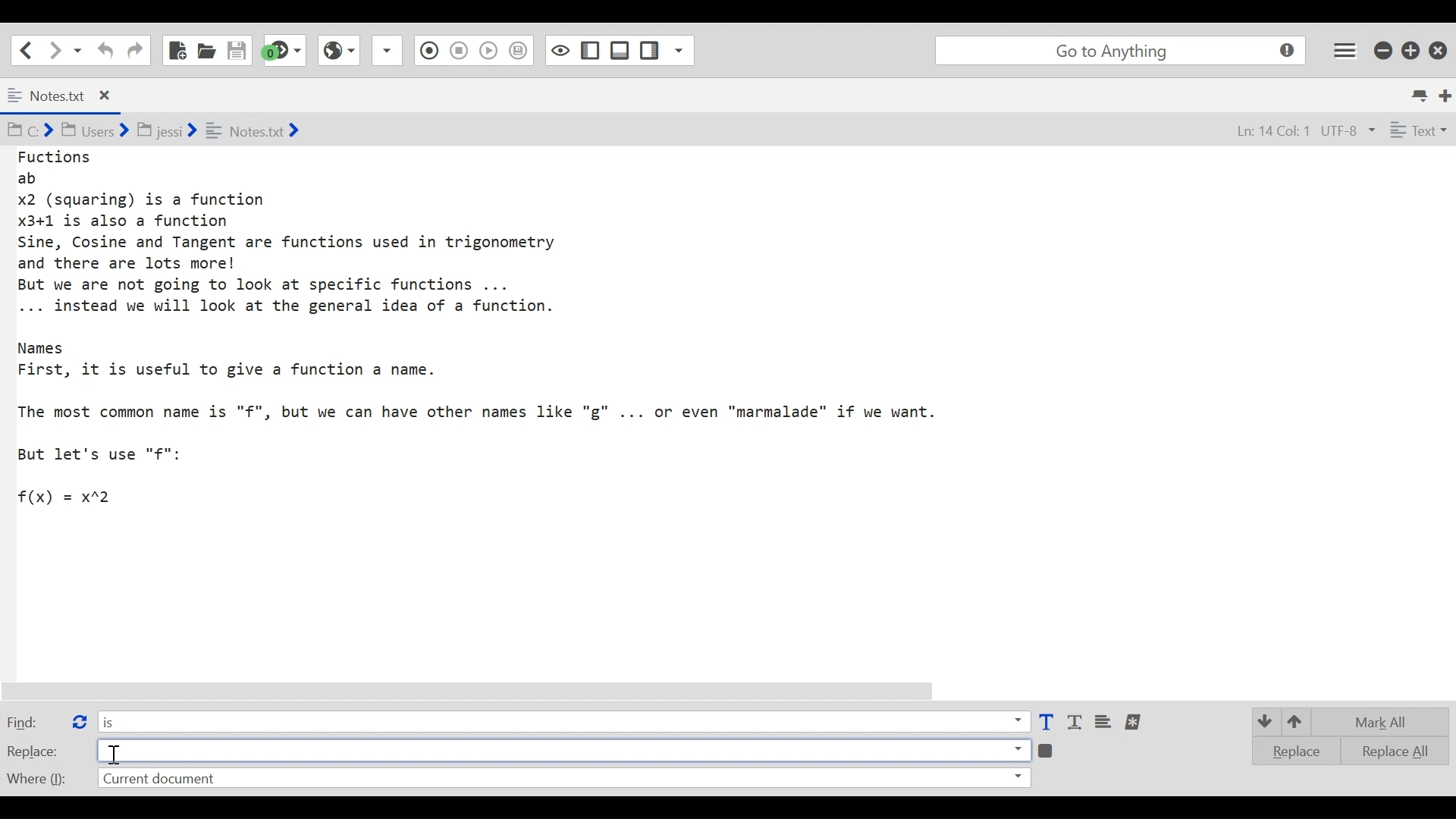  What do you see at coordinates (206, 50) in the screenshot?
I see `Open File` at bounding box center [206, 50].